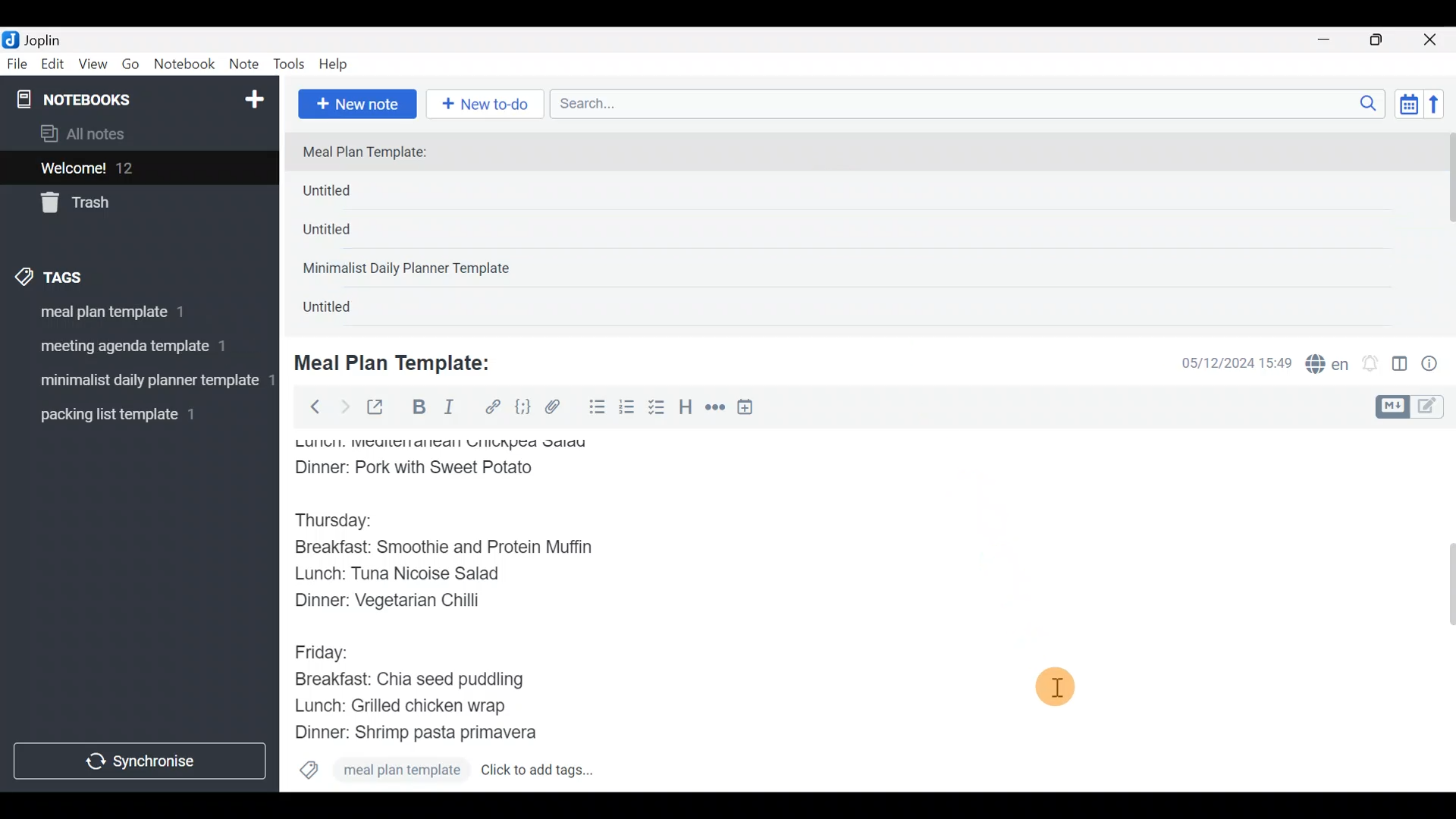 The image size is (1456, 819). Describe the element at coordinates (417, 679) in the screenshot. I see `Breakfast: Chia seed puddling` at that location.